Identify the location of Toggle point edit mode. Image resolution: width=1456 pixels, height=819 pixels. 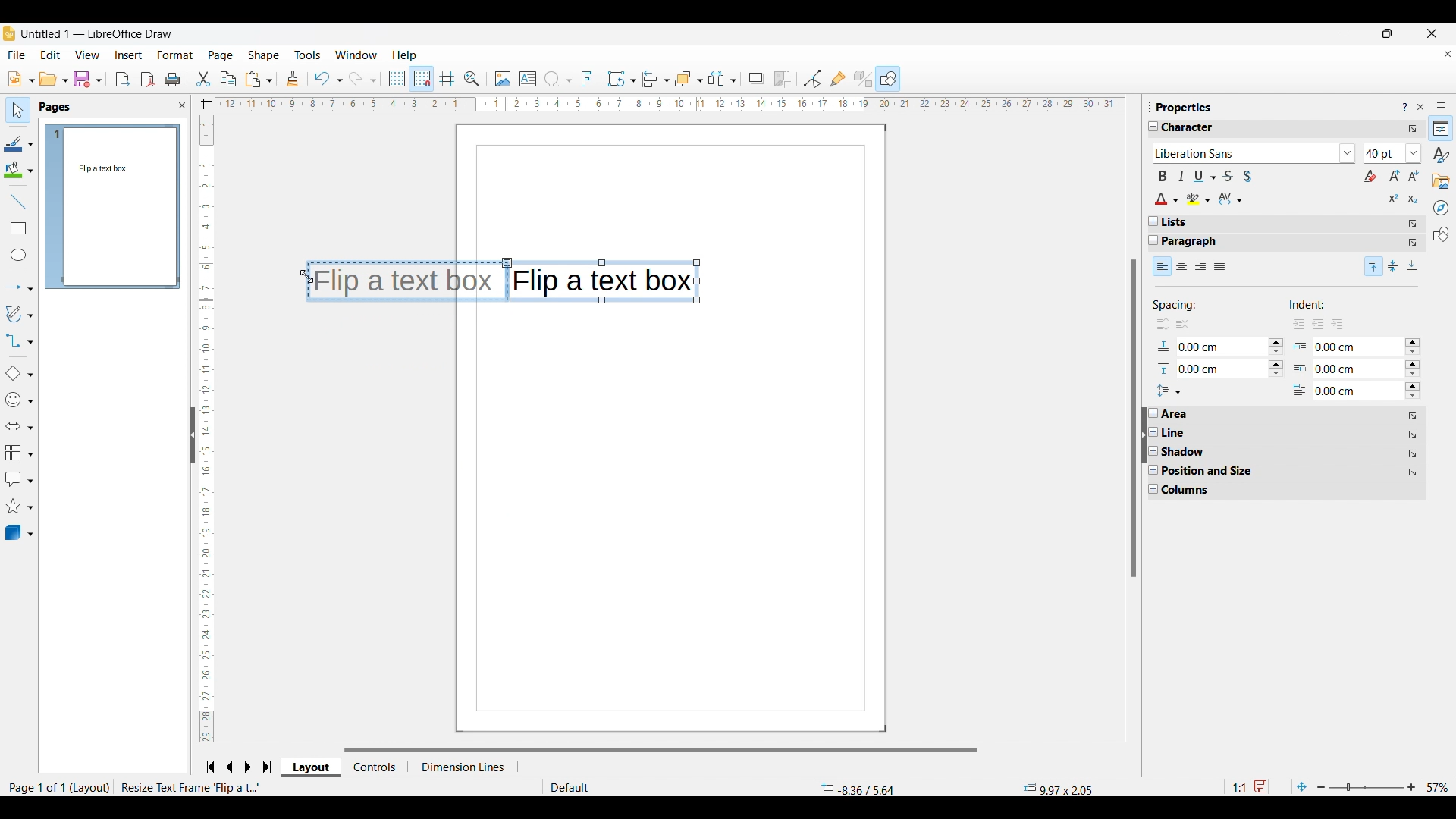
(812, 79).